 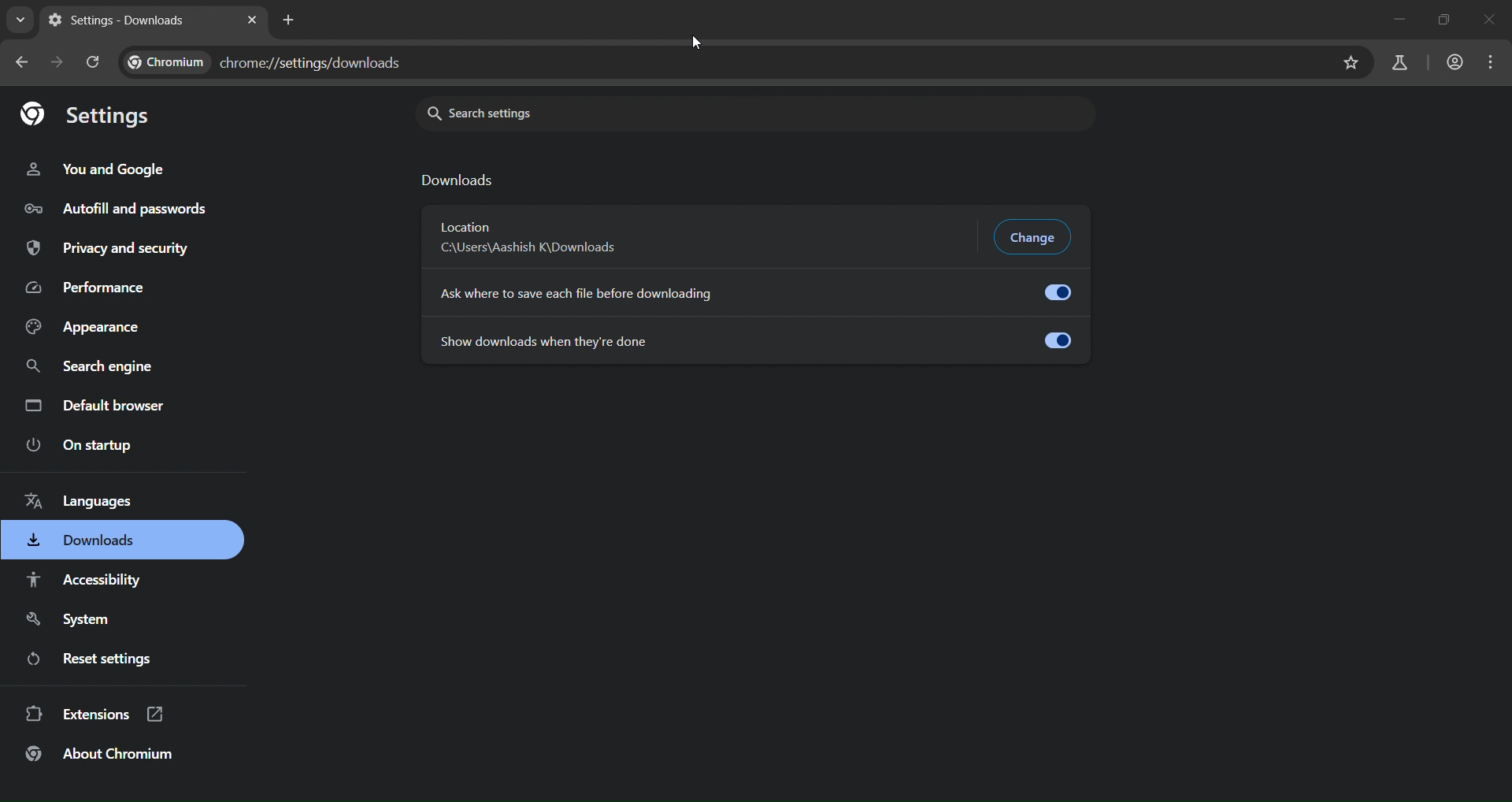 I want to click on accessibility, so click(x=91, y=581).